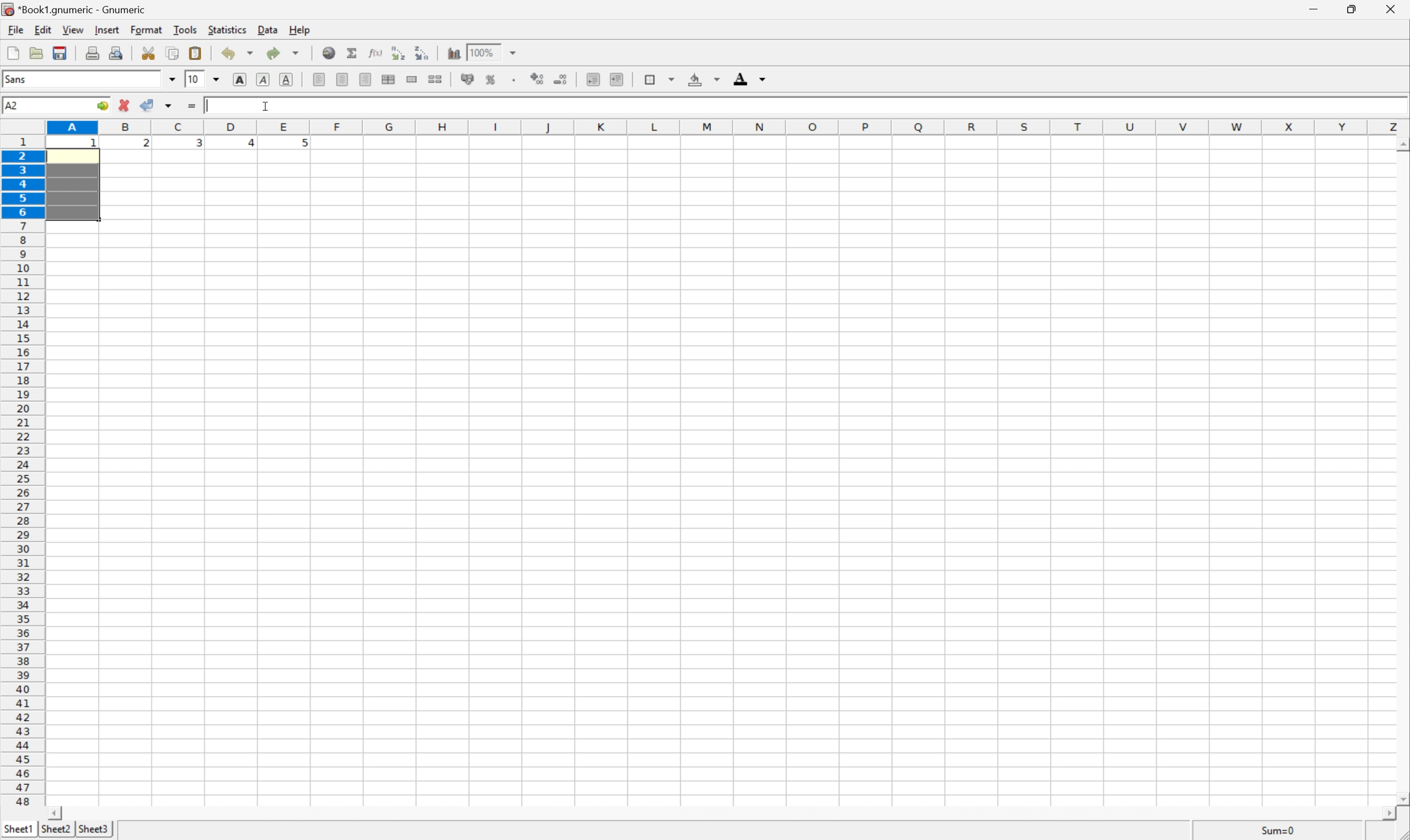  I want to click on cut, so click(147, 52).